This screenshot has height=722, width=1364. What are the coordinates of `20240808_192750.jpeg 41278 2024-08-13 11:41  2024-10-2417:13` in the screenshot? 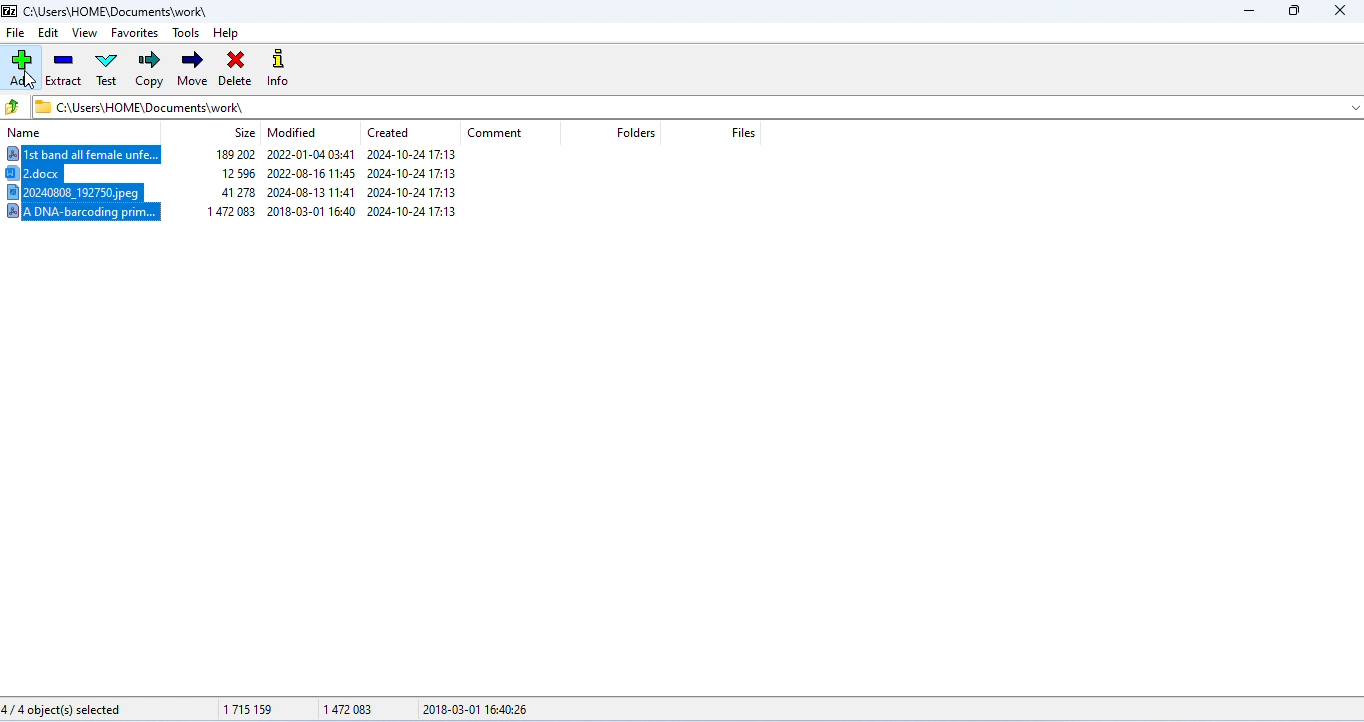 It's located at (244, 193).